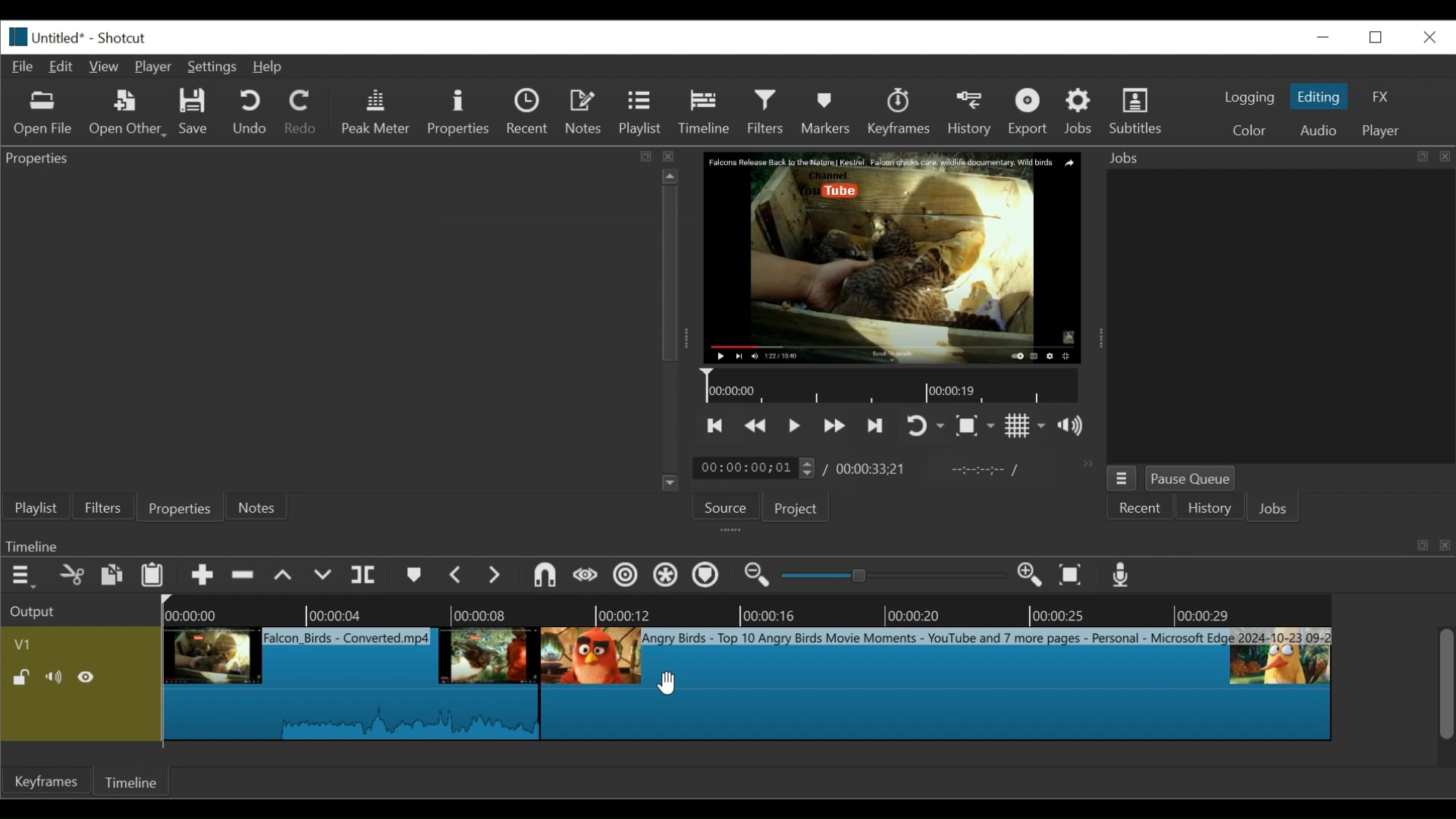  I want to click on Ripple all tracks, so click(667, 576).